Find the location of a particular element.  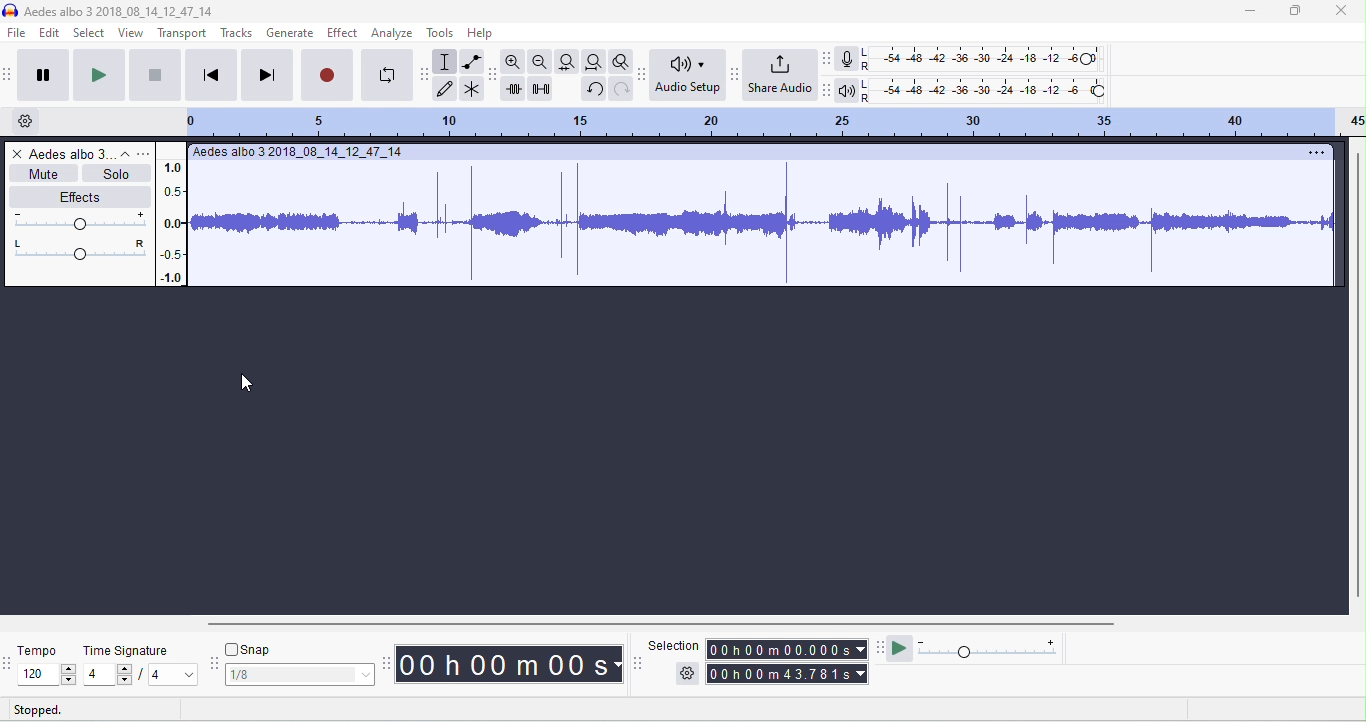

solo is located at coordinates (115, 174).